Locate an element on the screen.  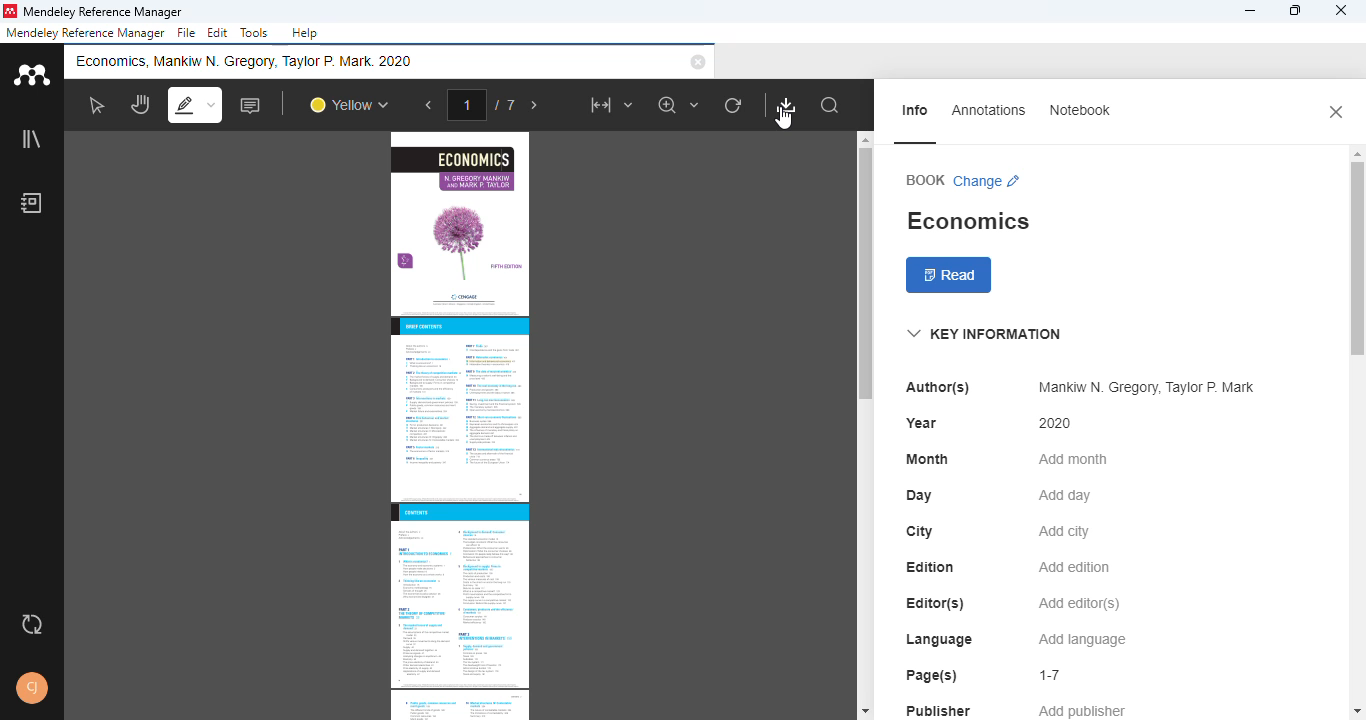
logo is located at coordinates (30, 73).